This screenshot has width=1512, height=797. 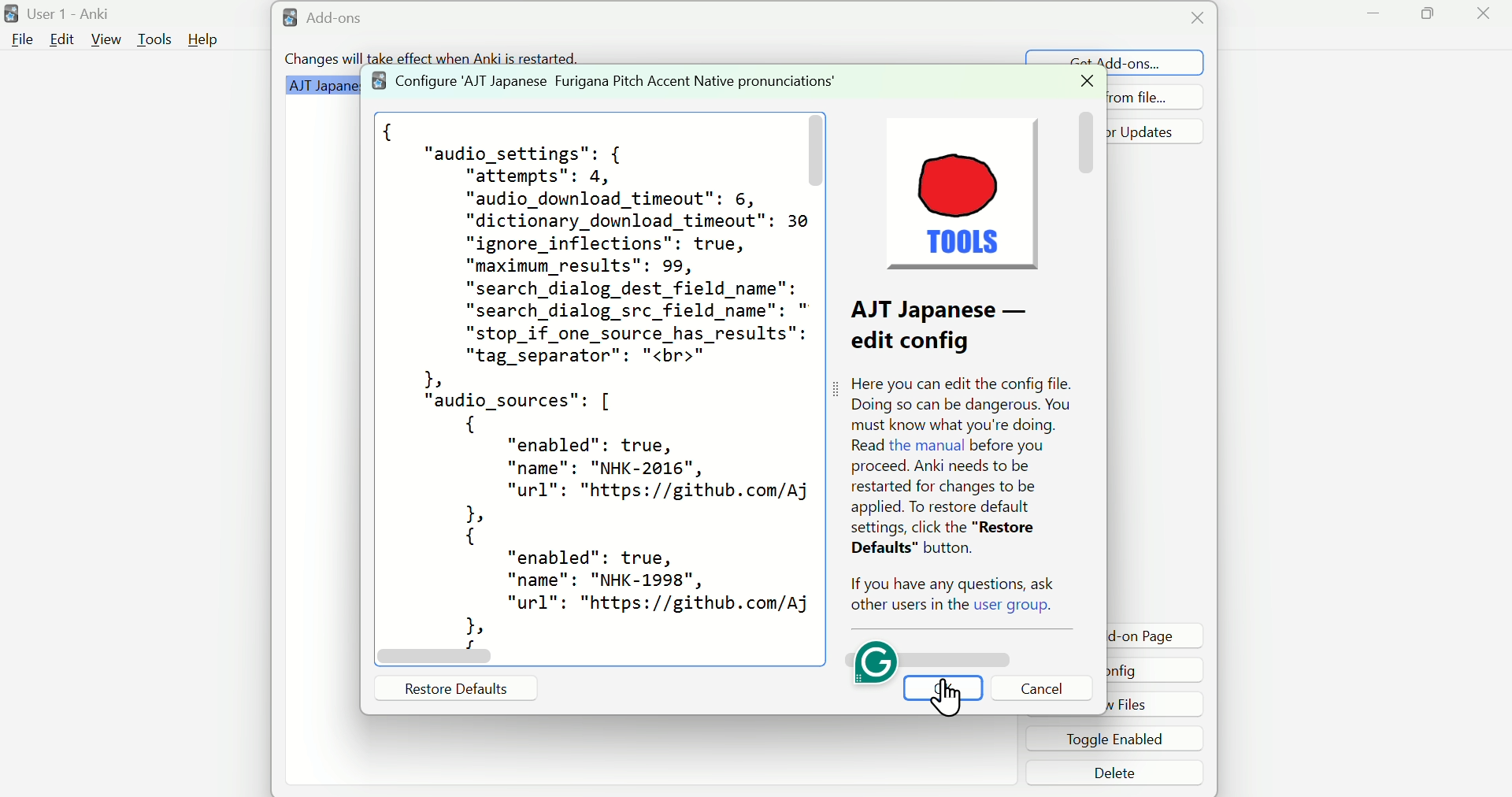 I want to click on Close, so click(x=1083, y=83).